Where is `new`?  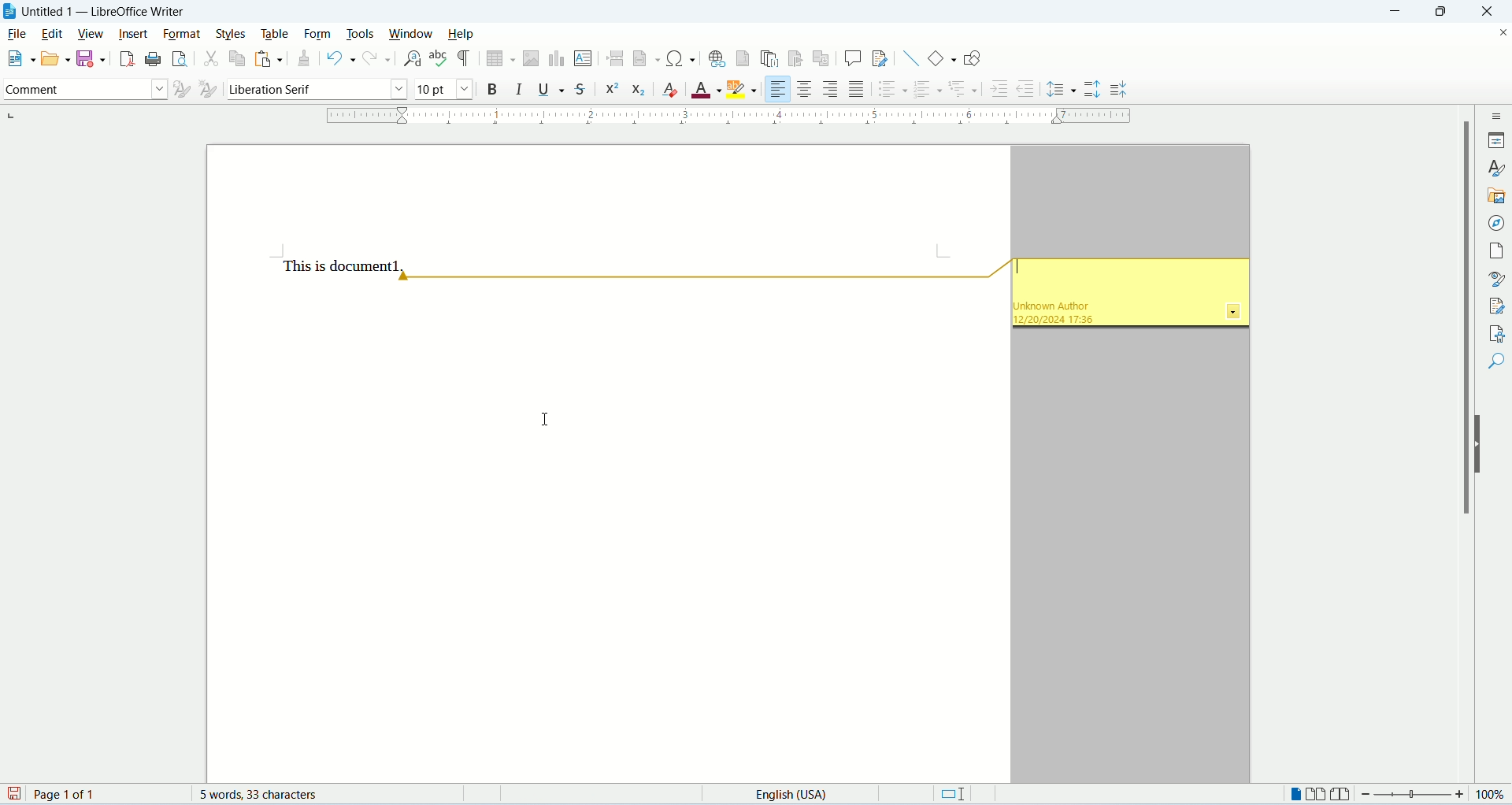 new is located at coordinates (19, 57).